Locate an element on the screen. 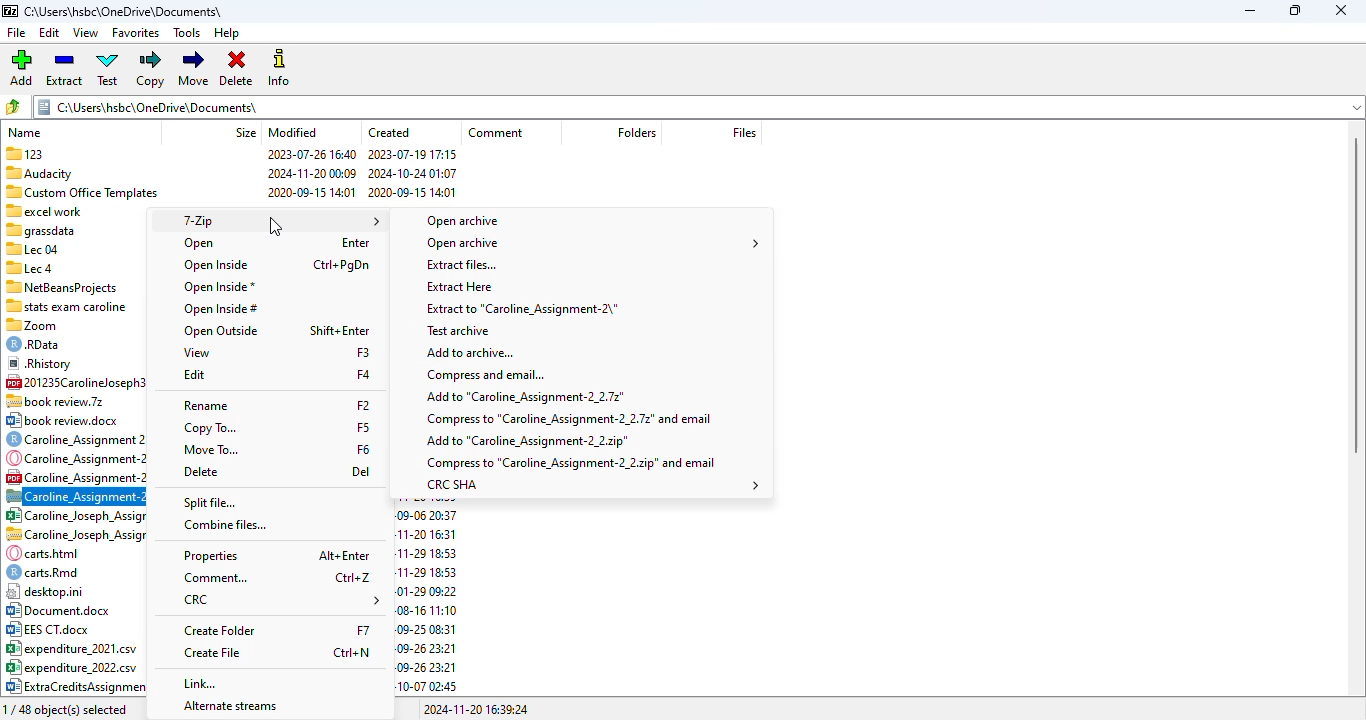  expenditure 2022.csv 504 2023-10-06 15:41 2023-09-26 23:21 is located at coordinates (72, 667).